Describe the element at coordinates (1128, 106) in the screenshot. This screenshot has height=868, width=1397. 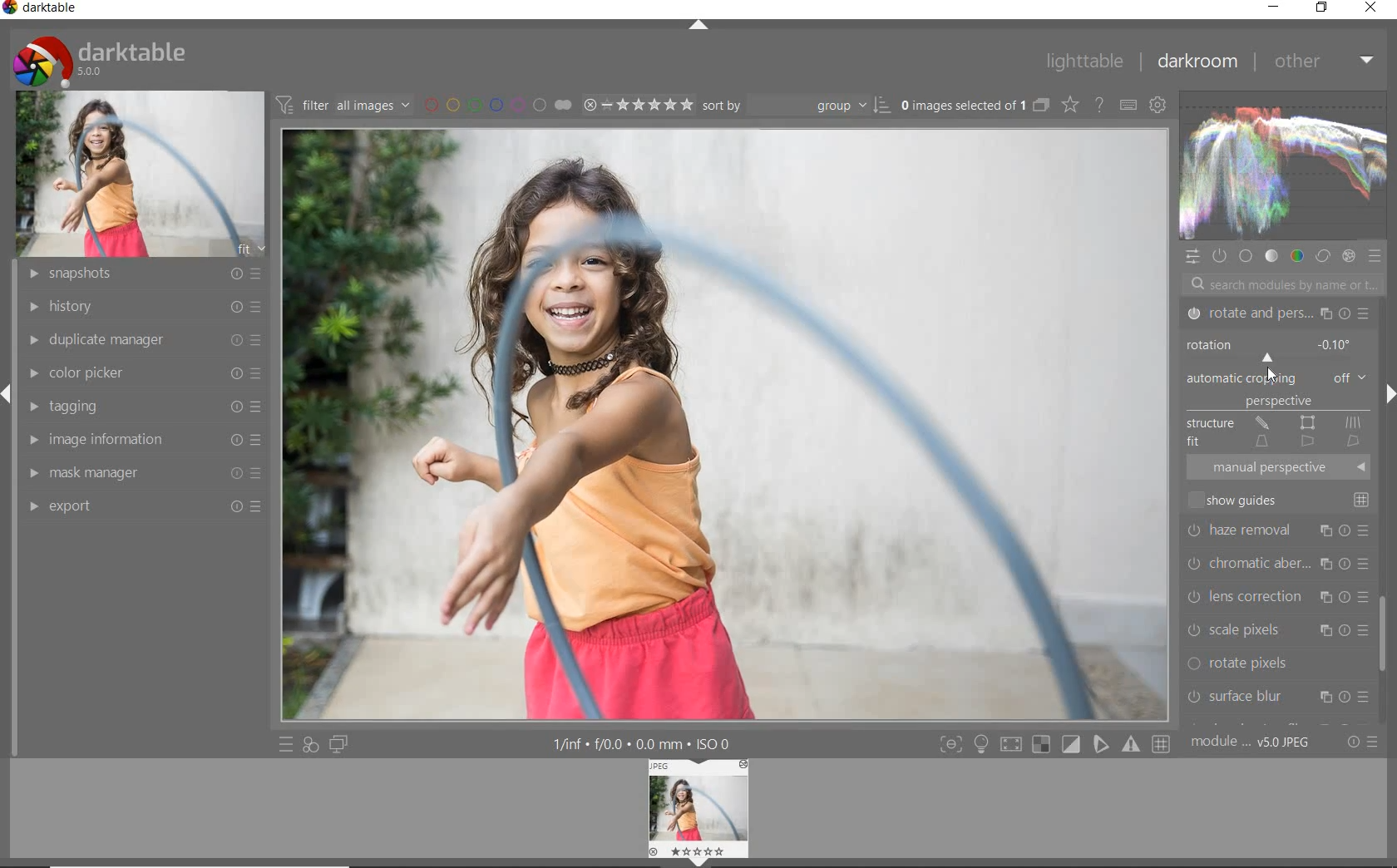
I see `define keyboard shortcut` at that location.